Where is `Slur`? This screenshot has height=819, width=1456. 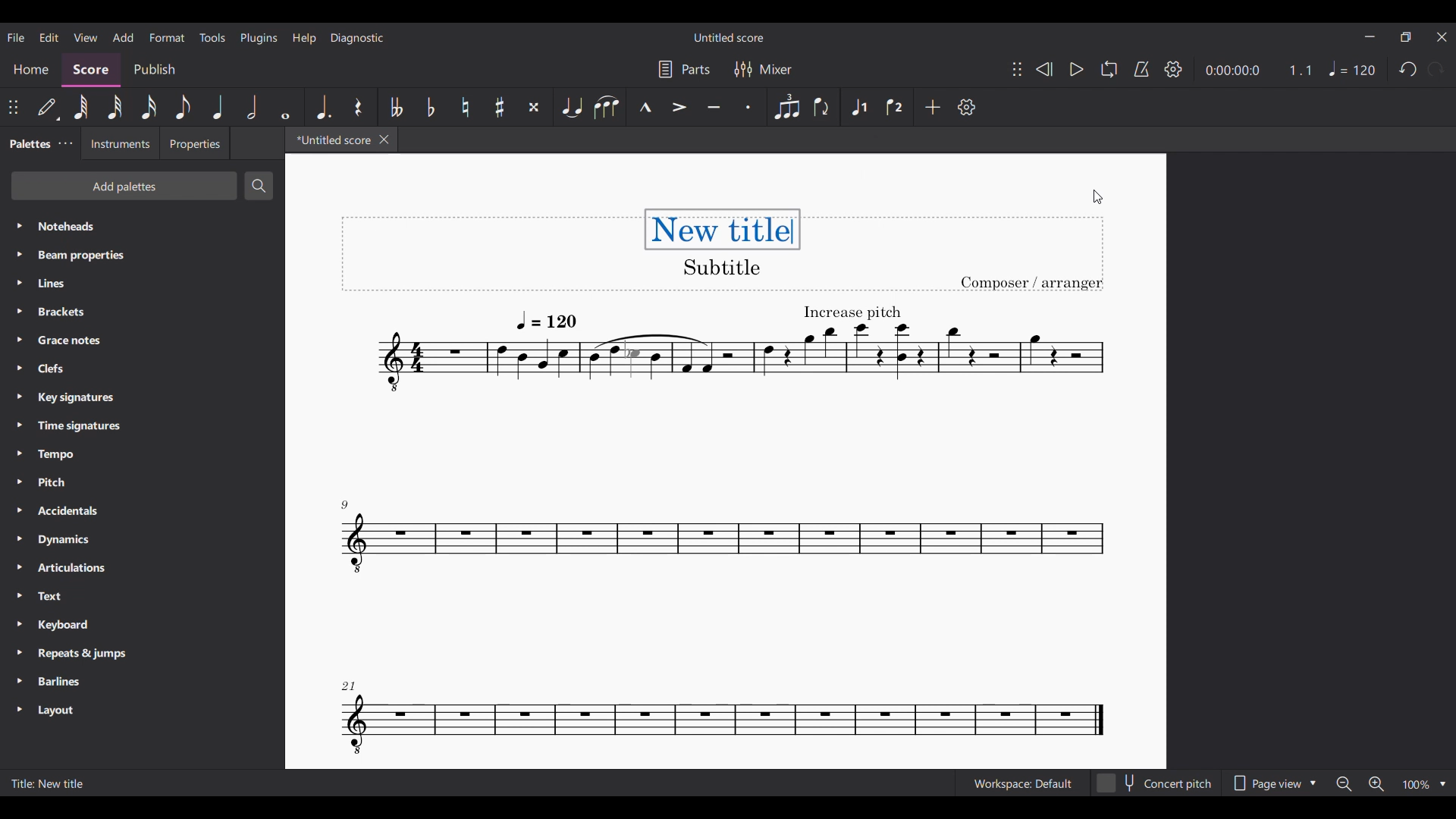 Slur is located at coordinates (607, 106).